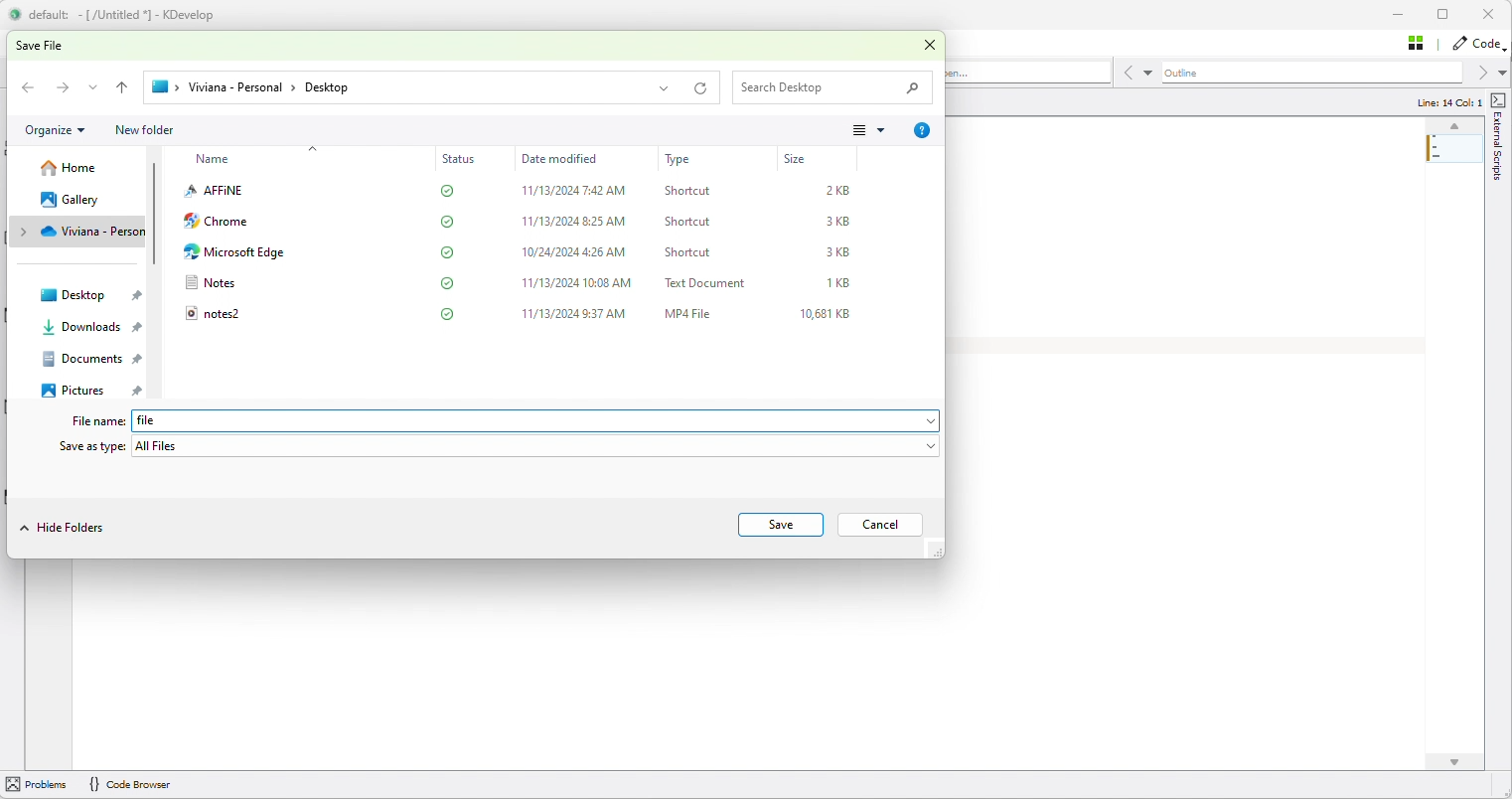  I want to click on 11/13/2024 8:25 AM, so click(576, 222).